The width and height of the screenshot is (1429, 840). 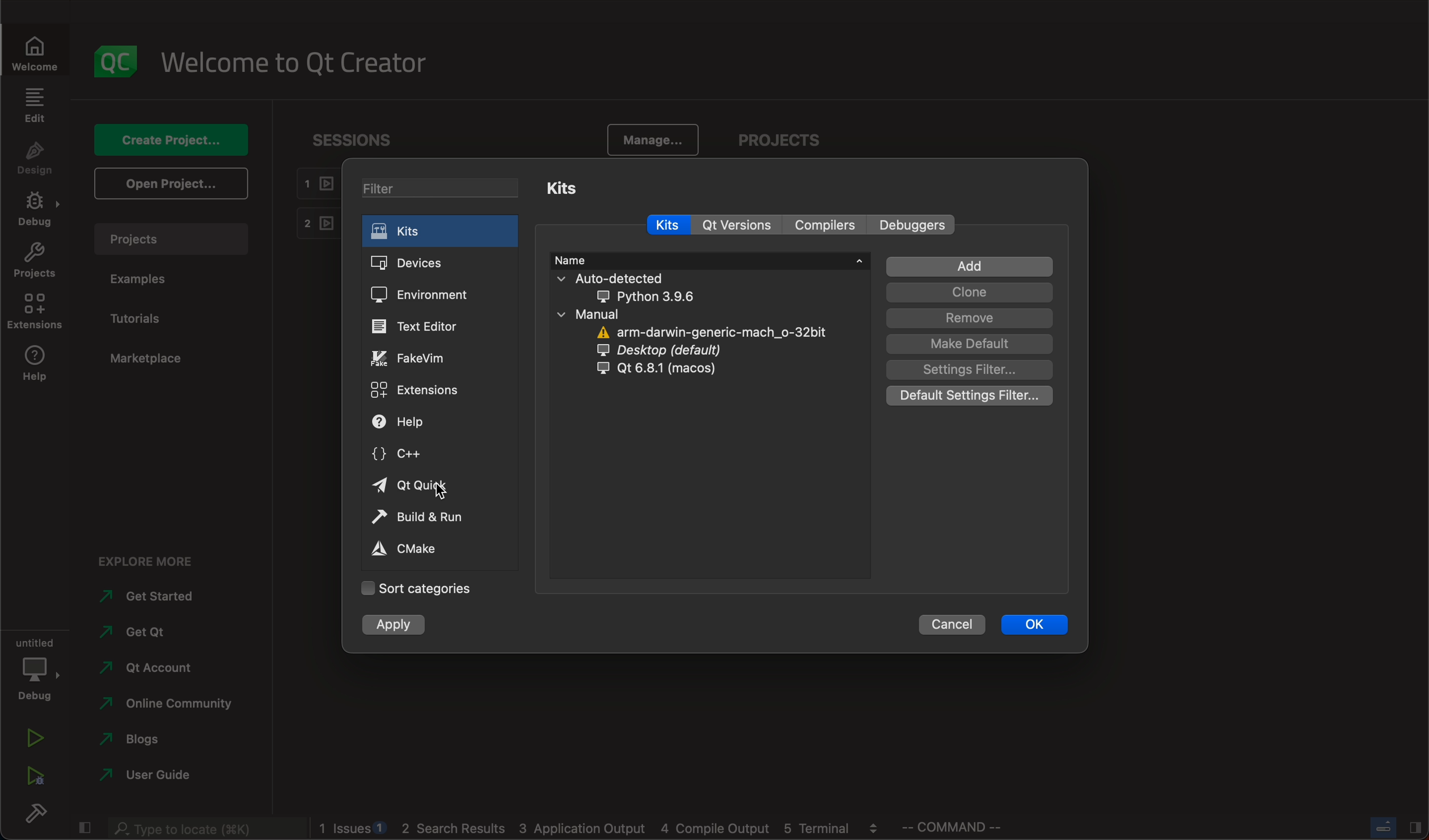 I want to click on filter, so click(x=967, y=370).